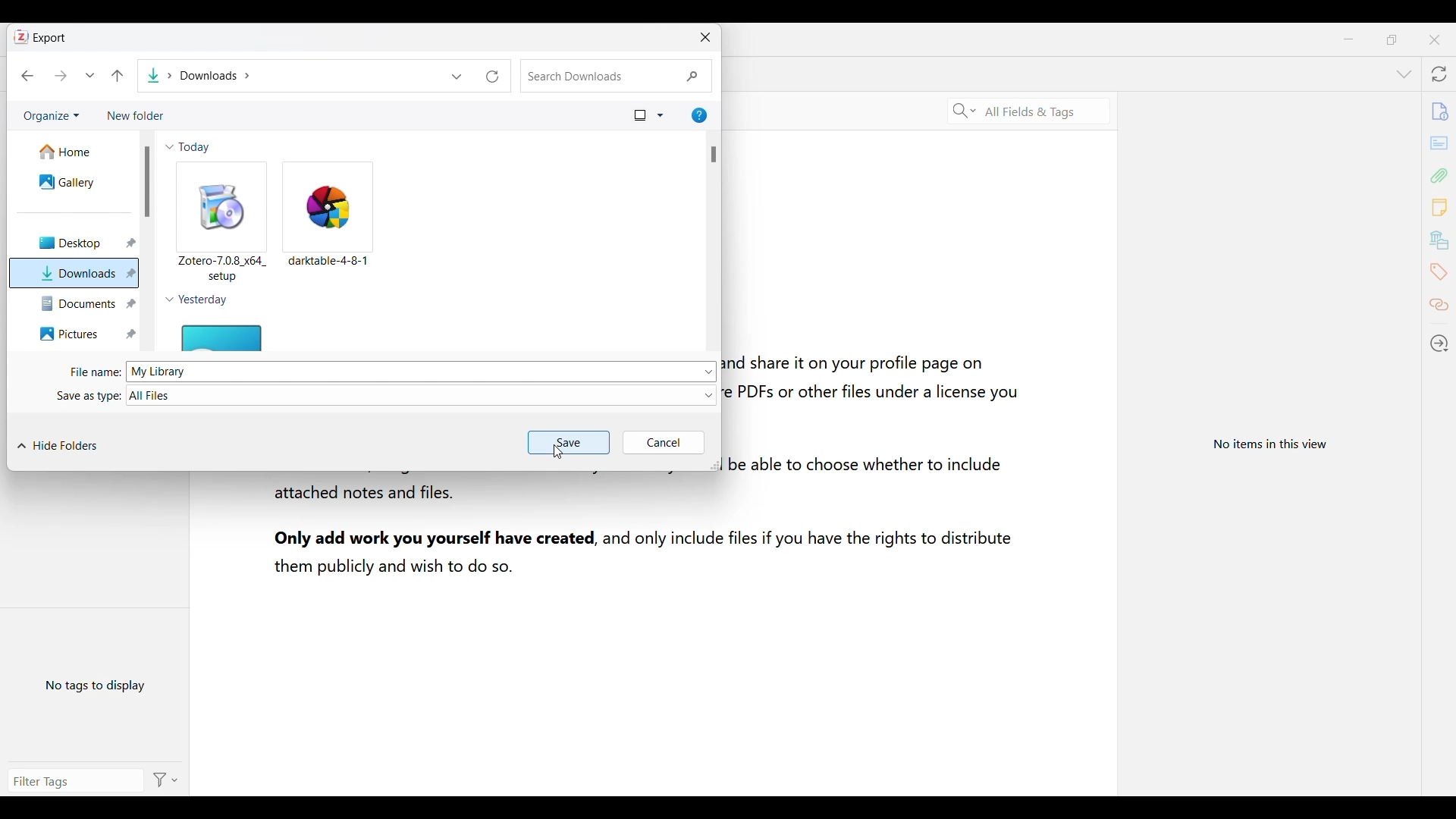 The width and height of the screenshot is (1456, 819). What do you see at coordinates (333, 222) in the screenshot?
I see `darktable-4-8-1` at bounding box center [333, 222].